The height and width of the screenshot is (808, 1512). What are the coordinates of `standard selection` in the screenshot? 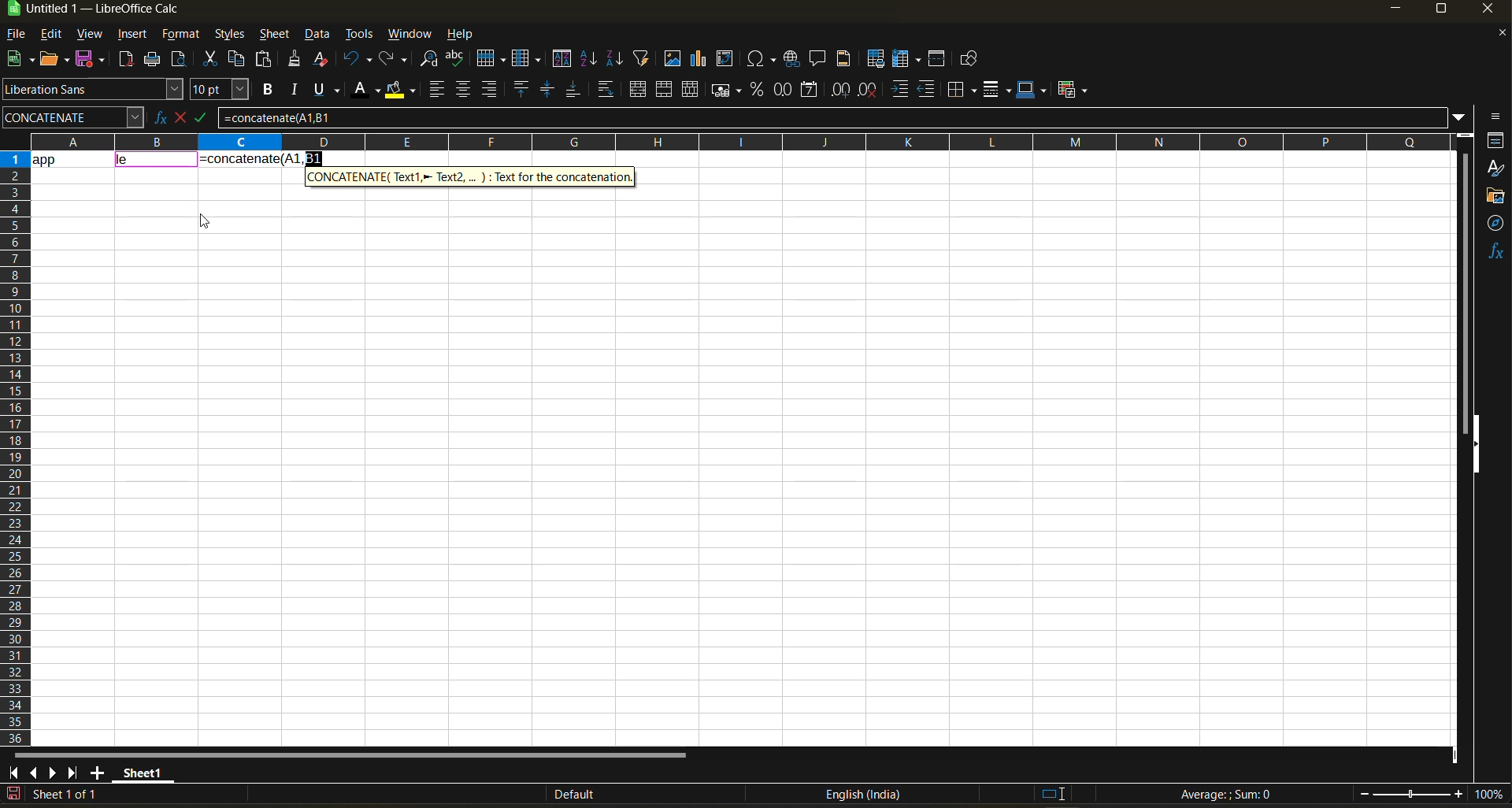 It's located at (1053, 793).